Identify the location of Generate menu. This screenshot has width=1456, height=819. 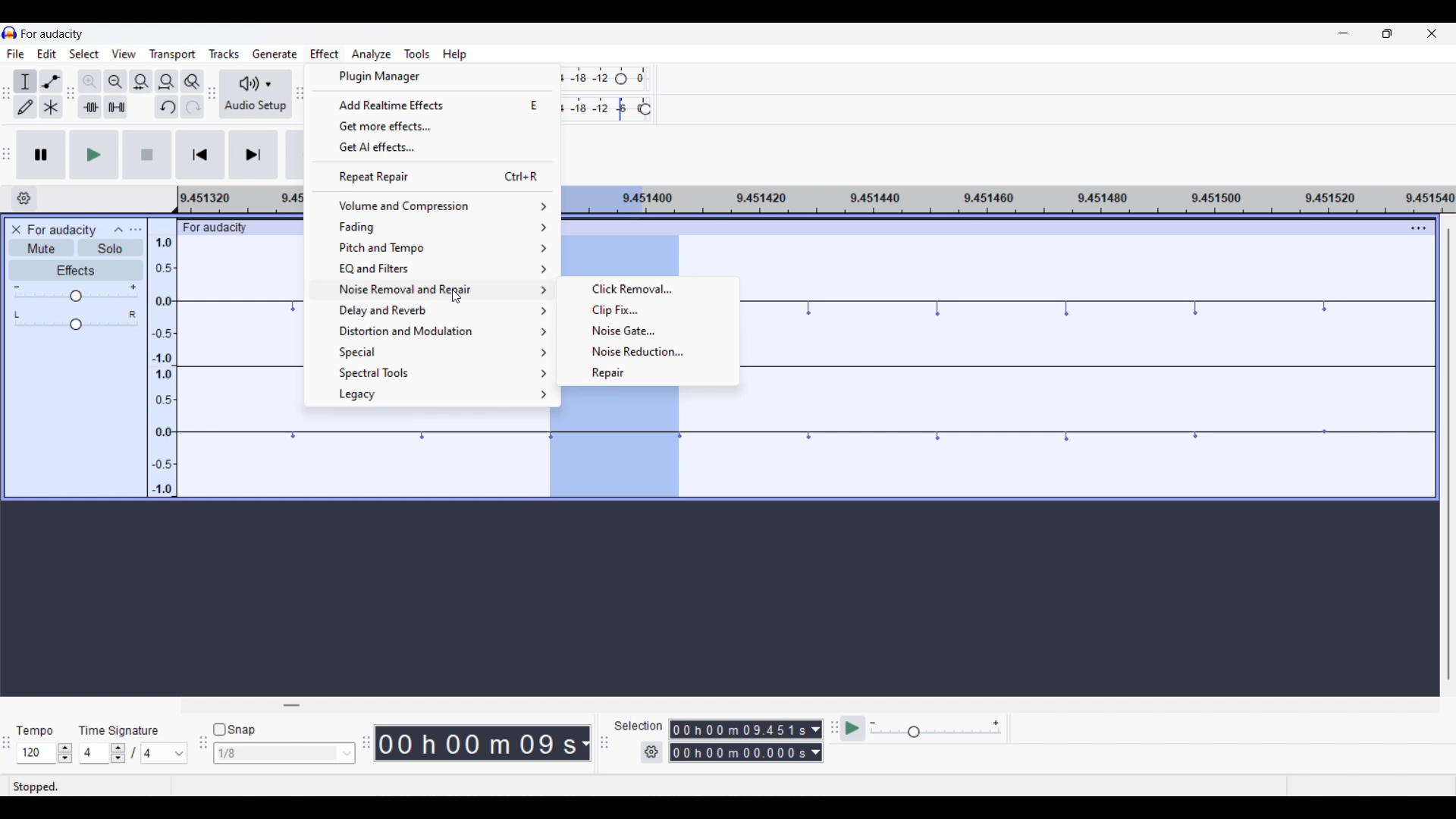
(275, 53).